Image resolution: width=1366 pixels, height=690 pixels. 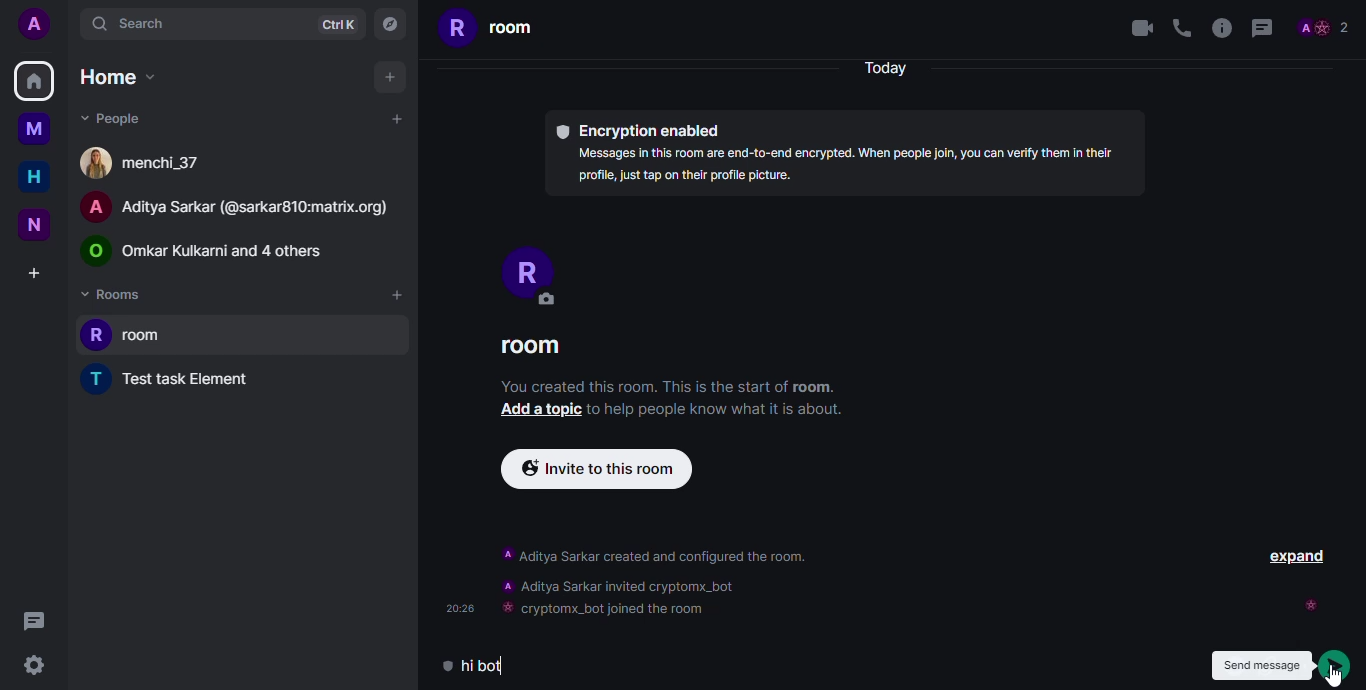 I want to click on send message, so click(x=1265, y=665).